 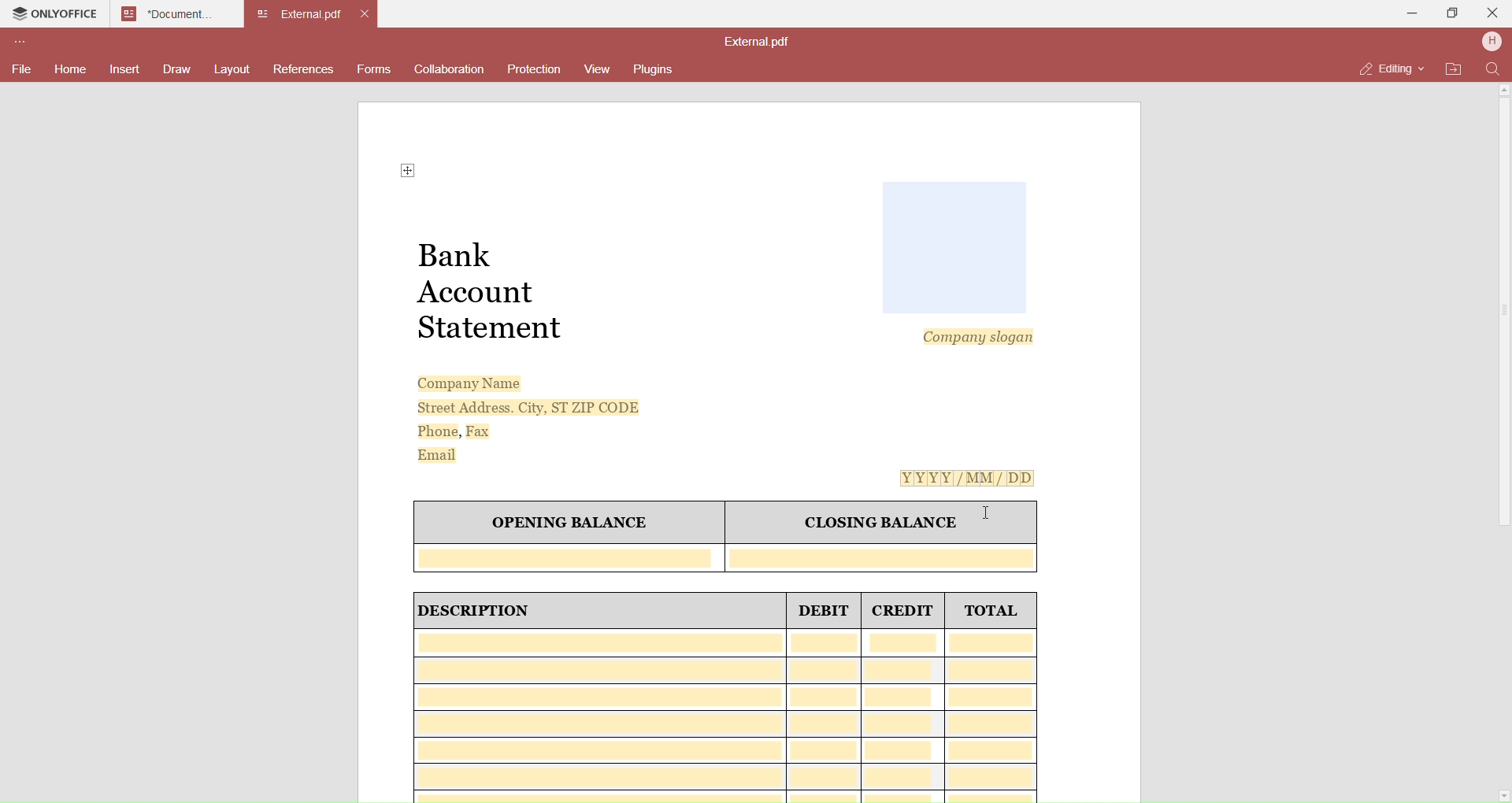 What do you see at coordinates (303, 71) in the screenshot?
I see `Referenecs` at bounding box center [303, 71].